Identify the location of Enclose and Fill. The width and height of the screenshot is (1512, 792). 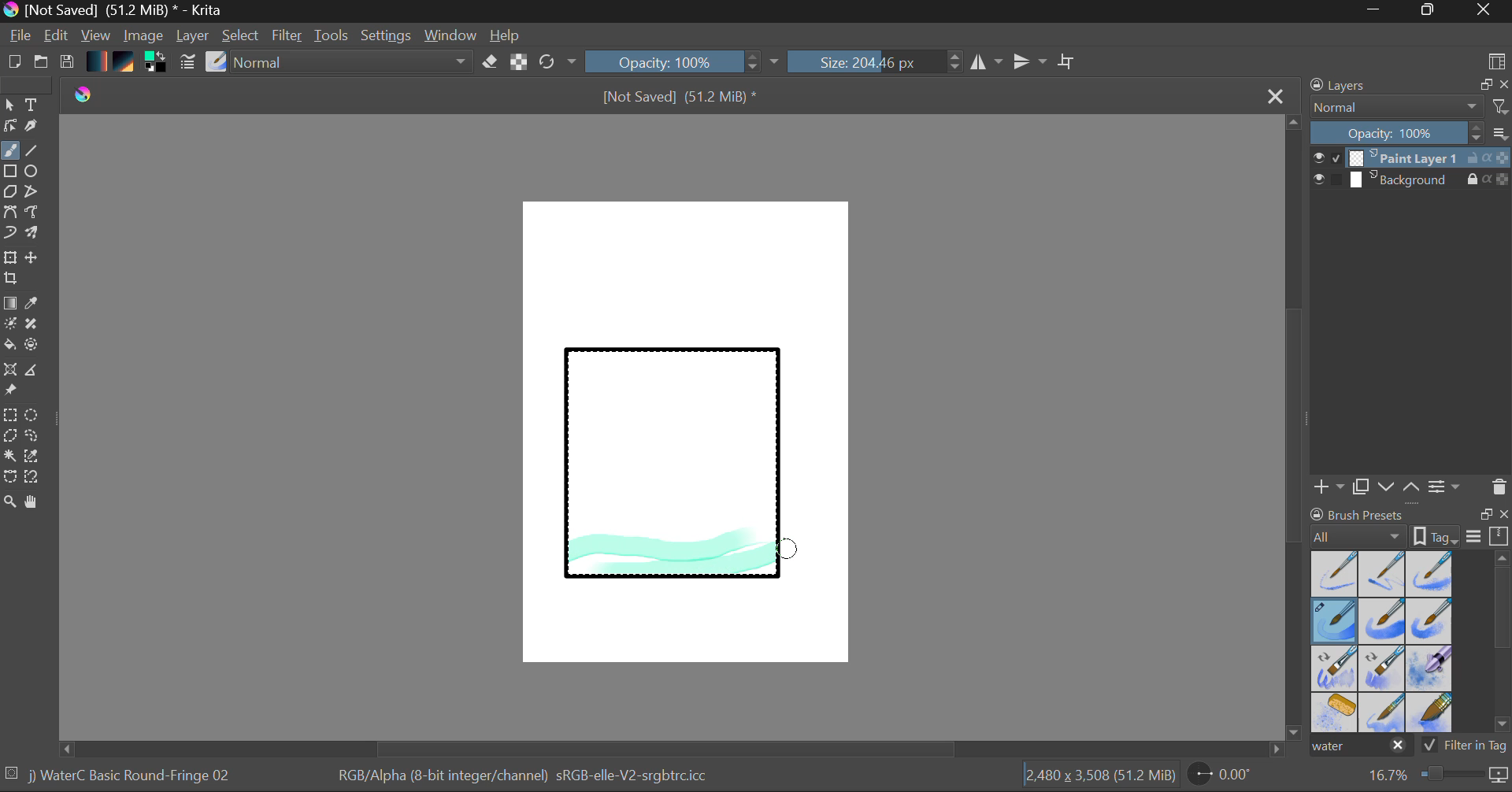
(35, 346).